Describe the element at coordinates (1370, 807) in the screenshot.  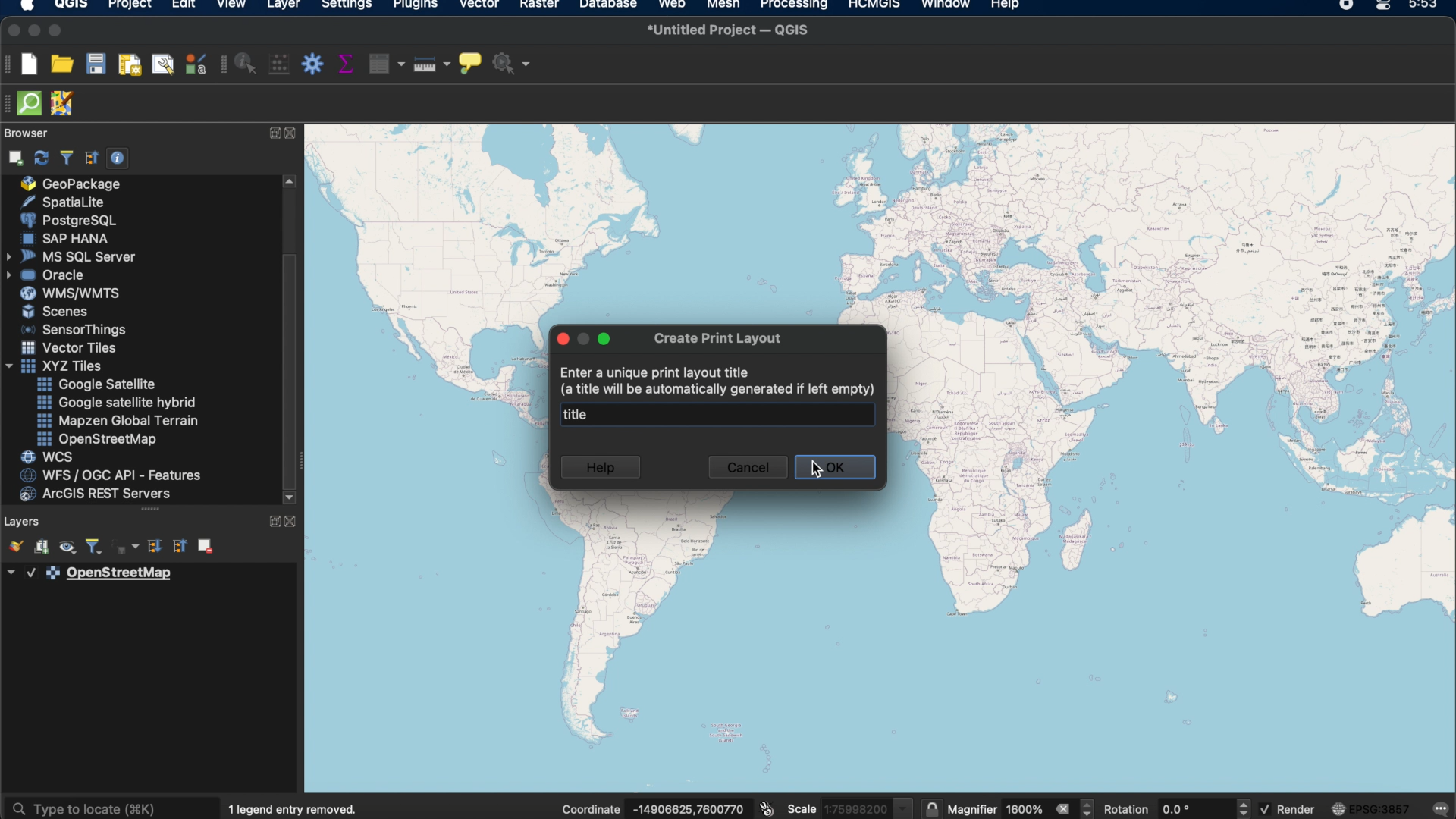
I see `current crs` at that location.